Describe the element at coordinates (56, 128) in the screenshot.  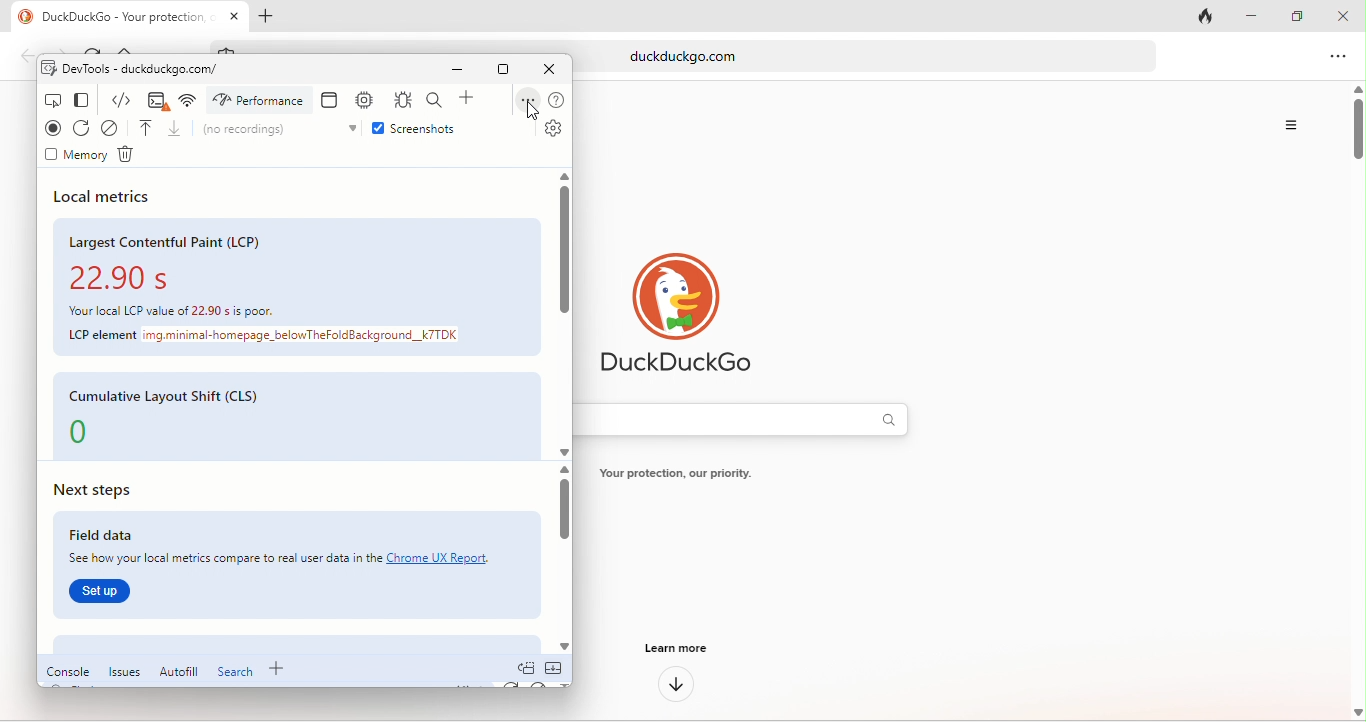
I see `record` at that location.